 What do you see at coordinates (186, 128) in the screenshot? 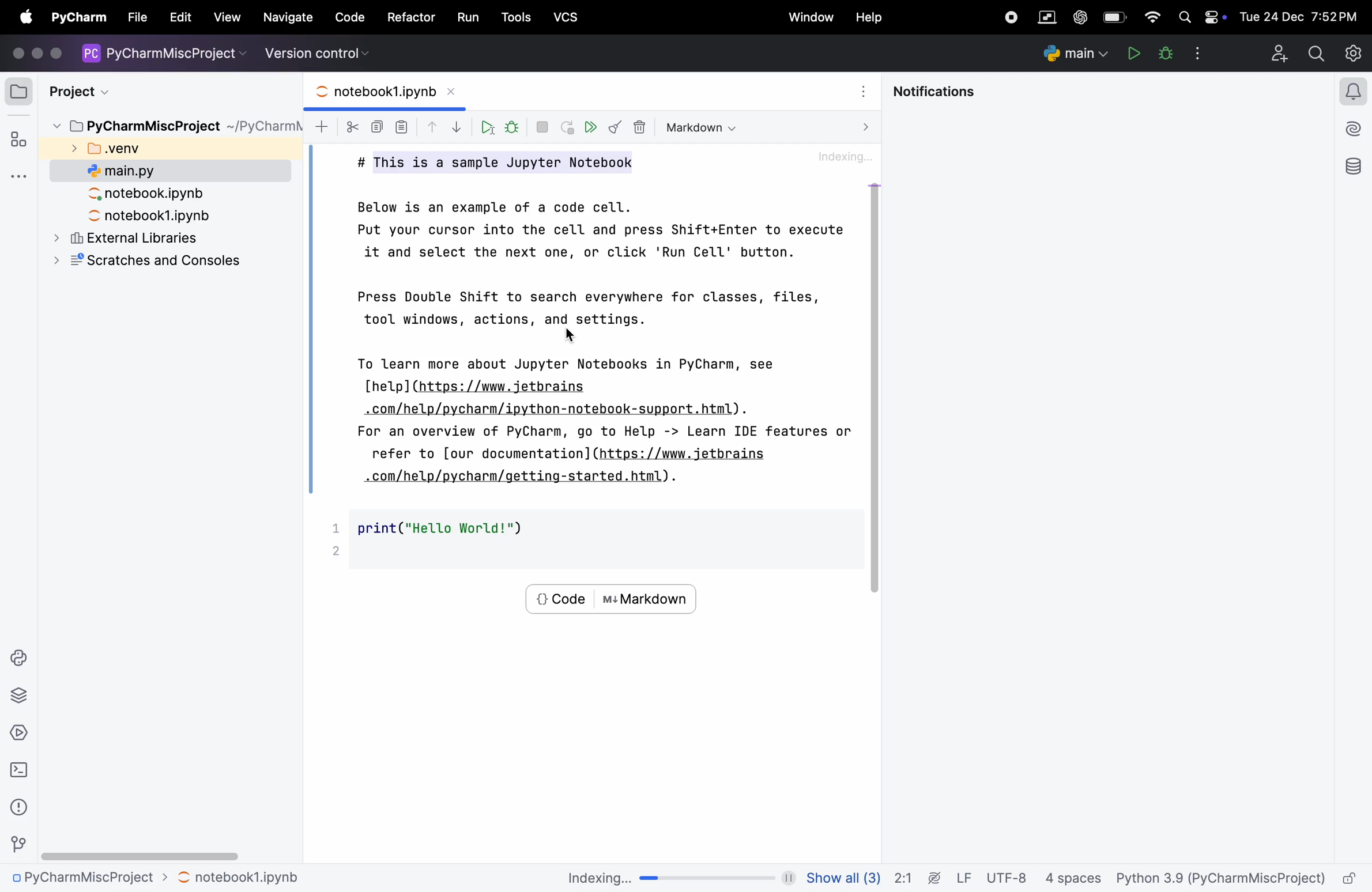
I see `PyCharmMiscProject ~/PyCharm` at bounding box center [186, 128].